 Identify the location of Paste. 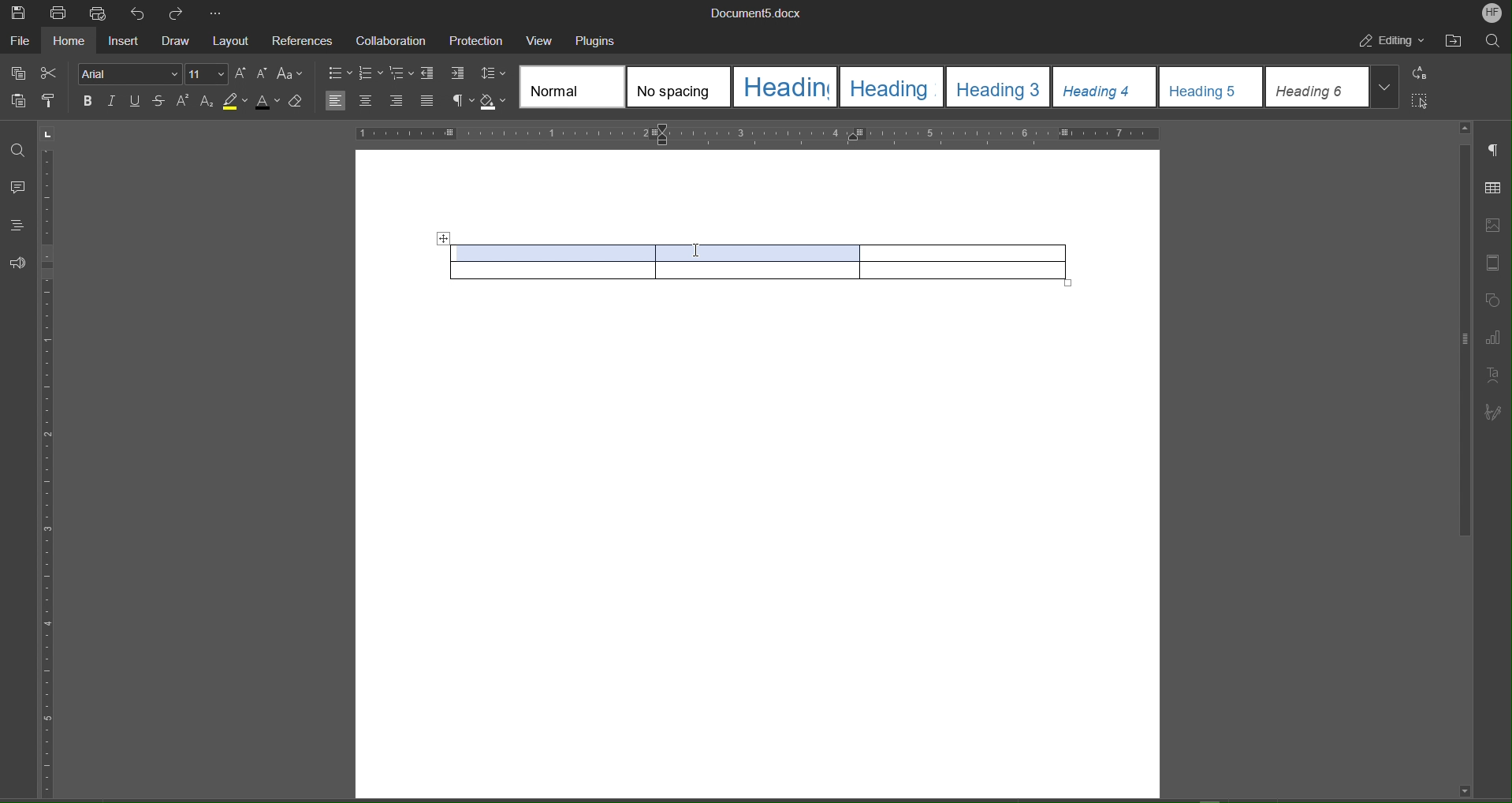
(15, 103).